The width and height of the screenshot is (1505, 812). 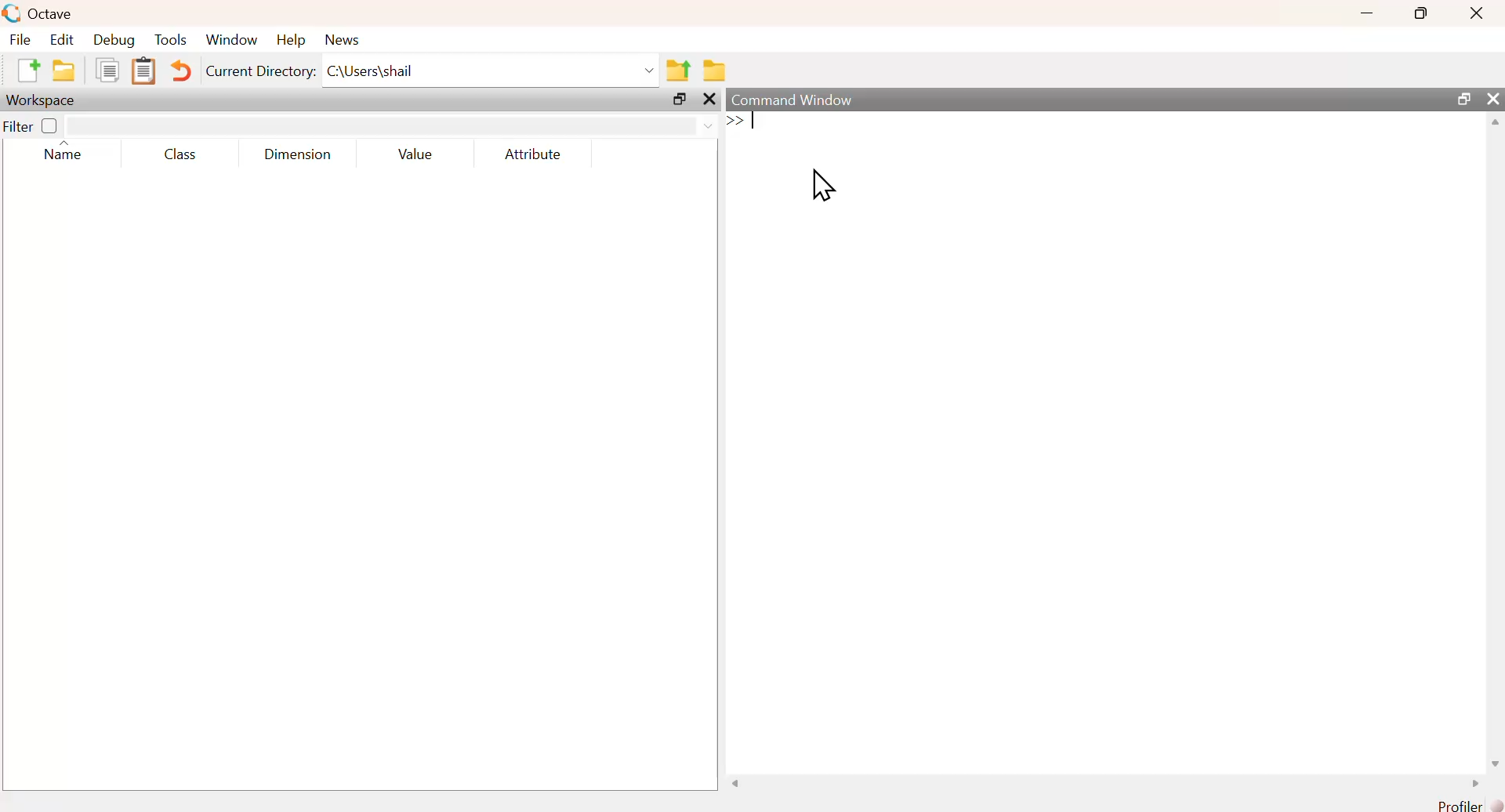 What do you see at coordinates (371, 71) in the screenshot?
I see `C:\Users\shail` at bounding box center [371, 71].